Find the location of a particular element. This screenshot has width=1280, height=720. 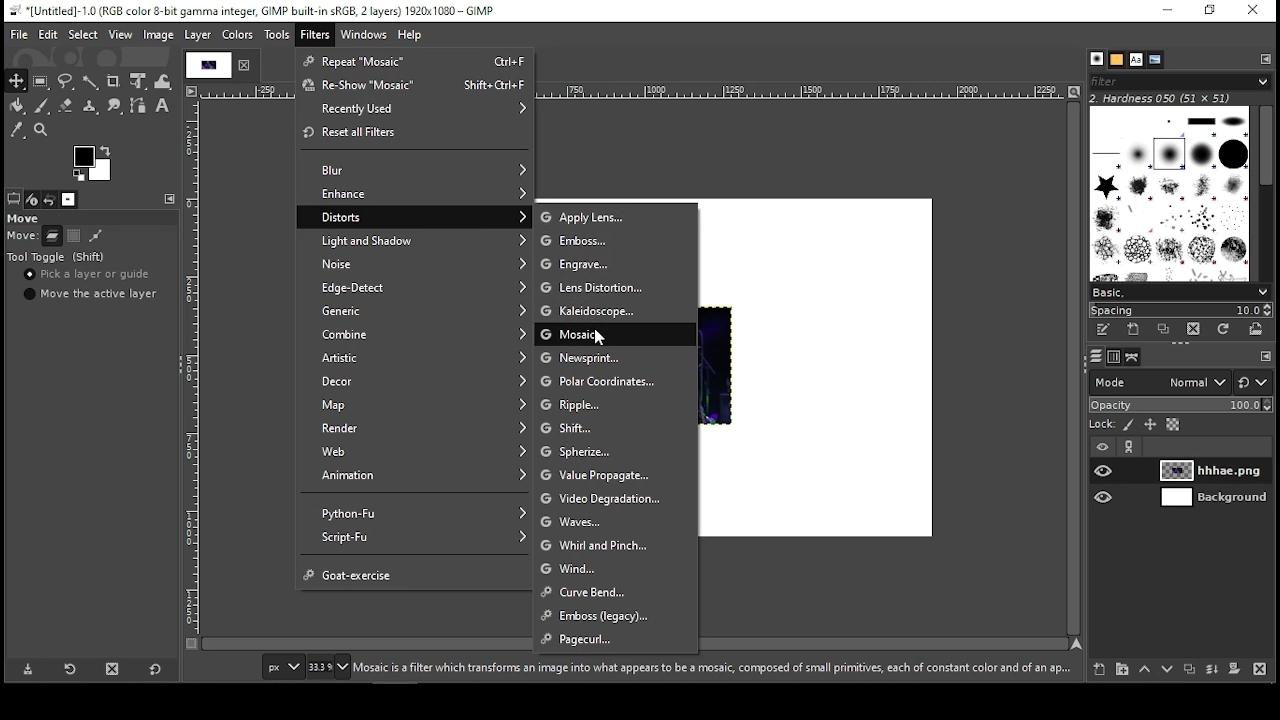

animation is located at coordinates (413, 476).